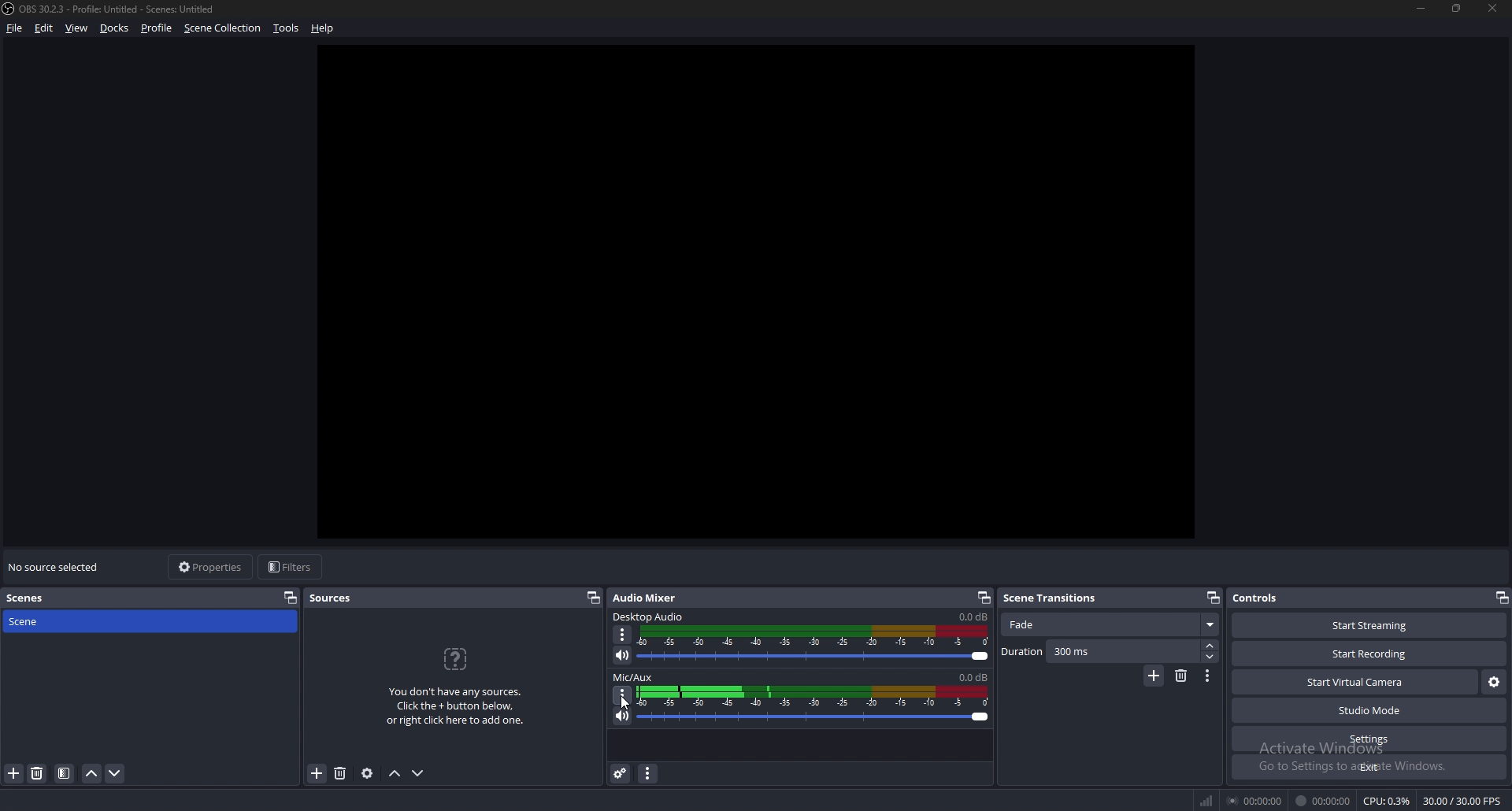 This screenshot has height=811, width=1512. Describe the element at coordinates (1495, 9) in the screenshot. I see `close` at that location.